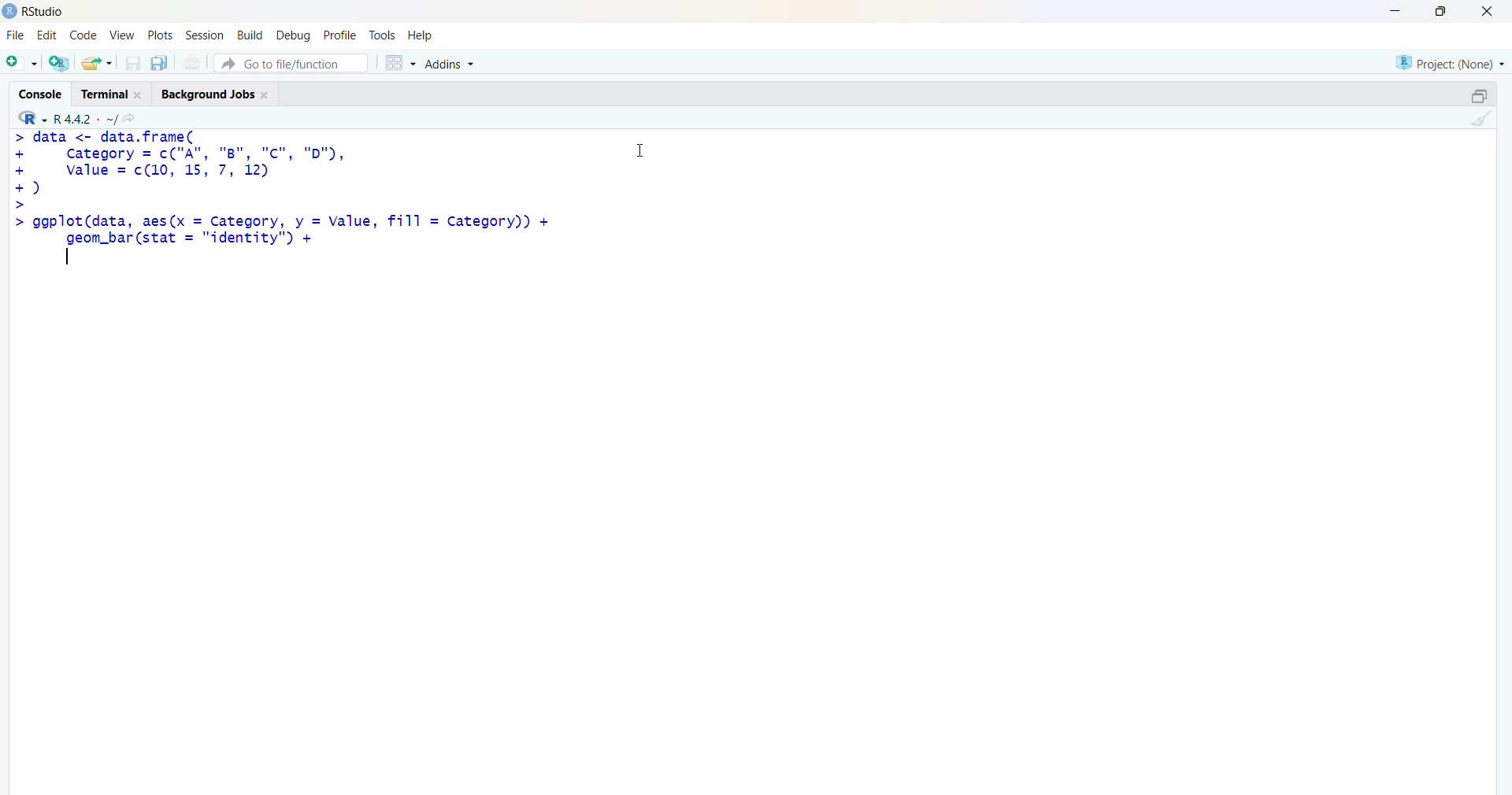  Describe the element at coordinates (133, 118) in the screenshot. I see `go to directiory` at that location.